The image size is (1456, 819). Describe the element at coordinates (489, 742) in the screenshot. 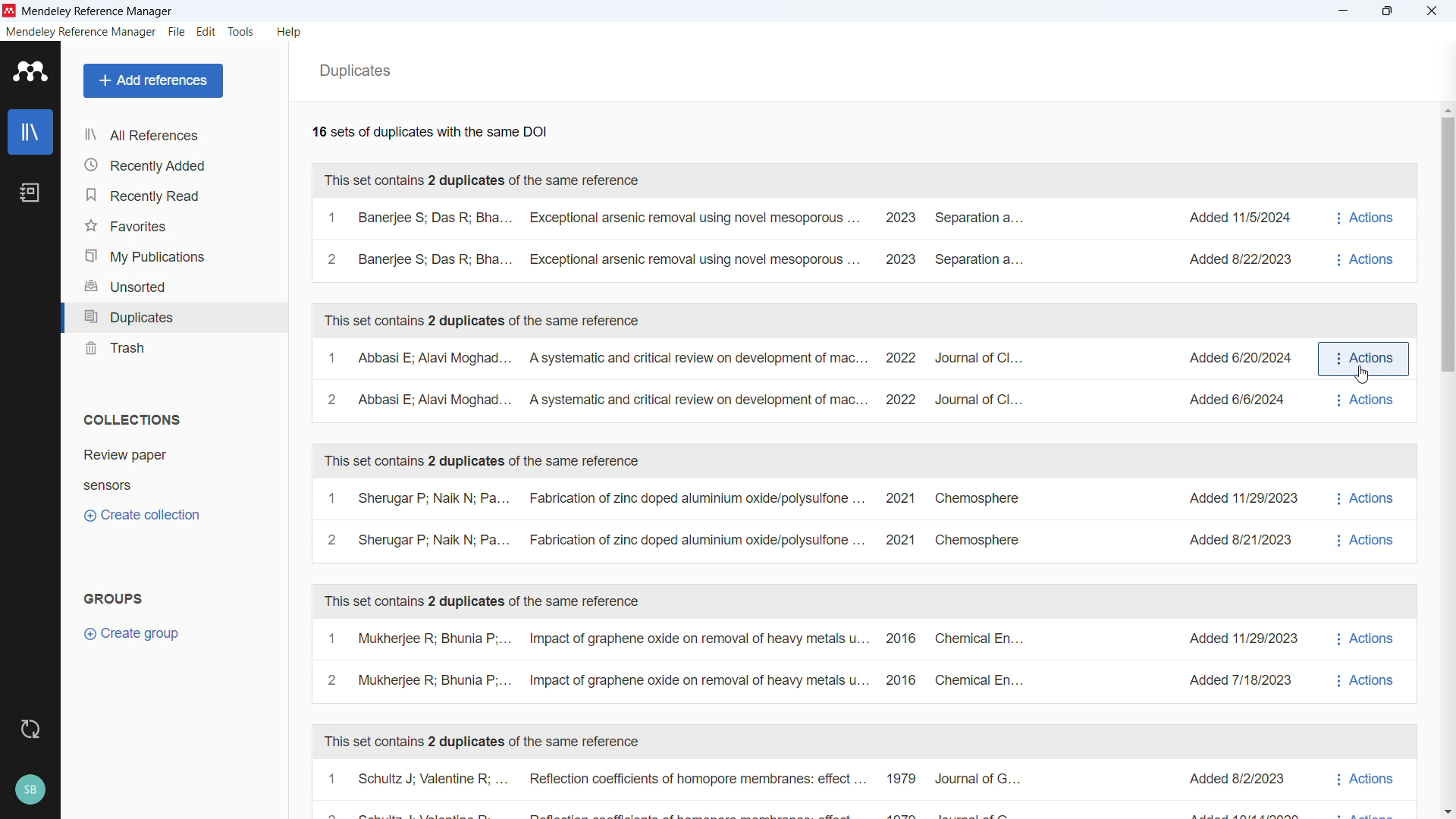

I see `This set contains 2 duplicates of the same reference` at that location.